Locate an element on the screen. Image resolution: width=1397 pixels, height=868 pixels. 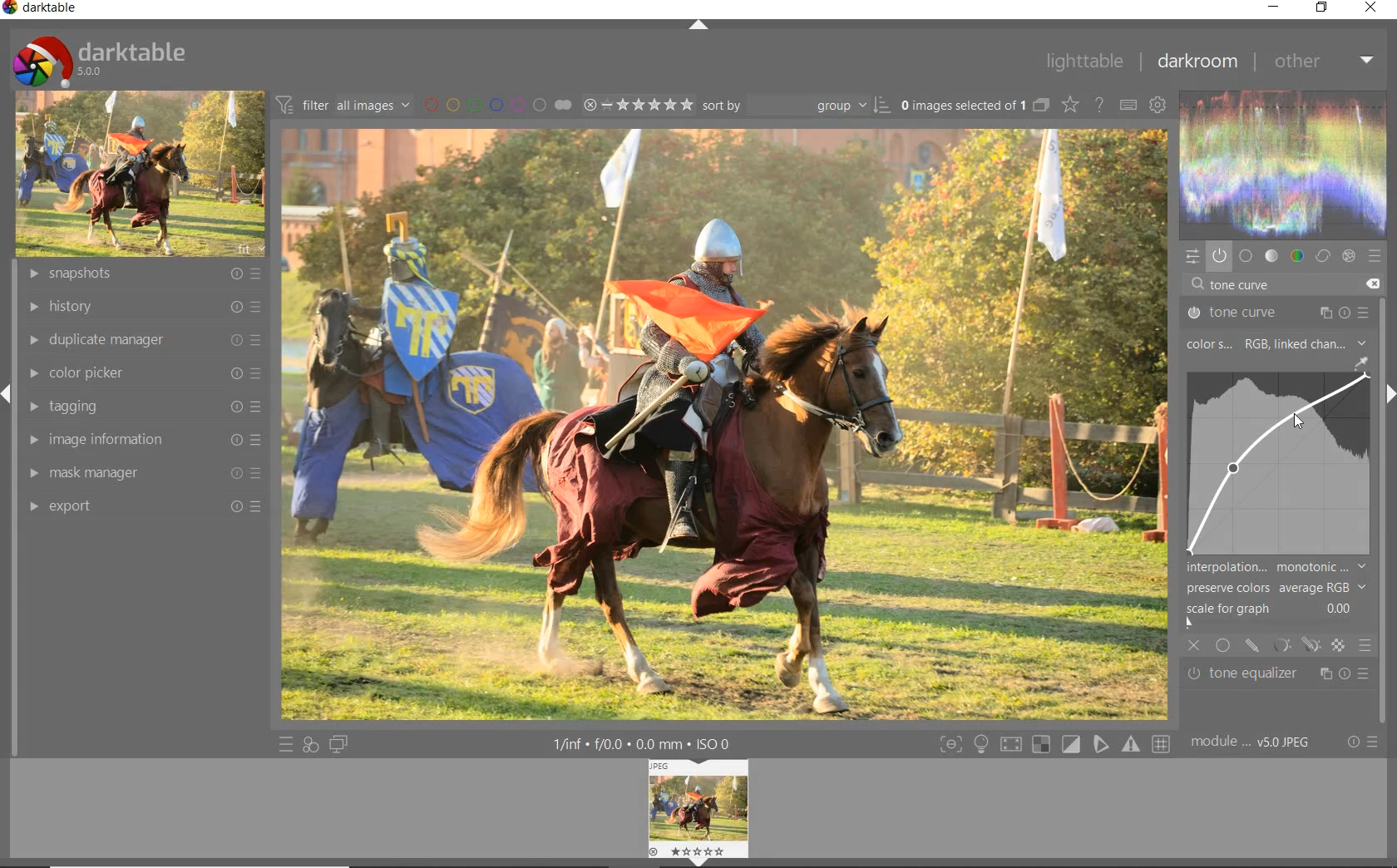
lighttable is located at coordinates (1084, 62).